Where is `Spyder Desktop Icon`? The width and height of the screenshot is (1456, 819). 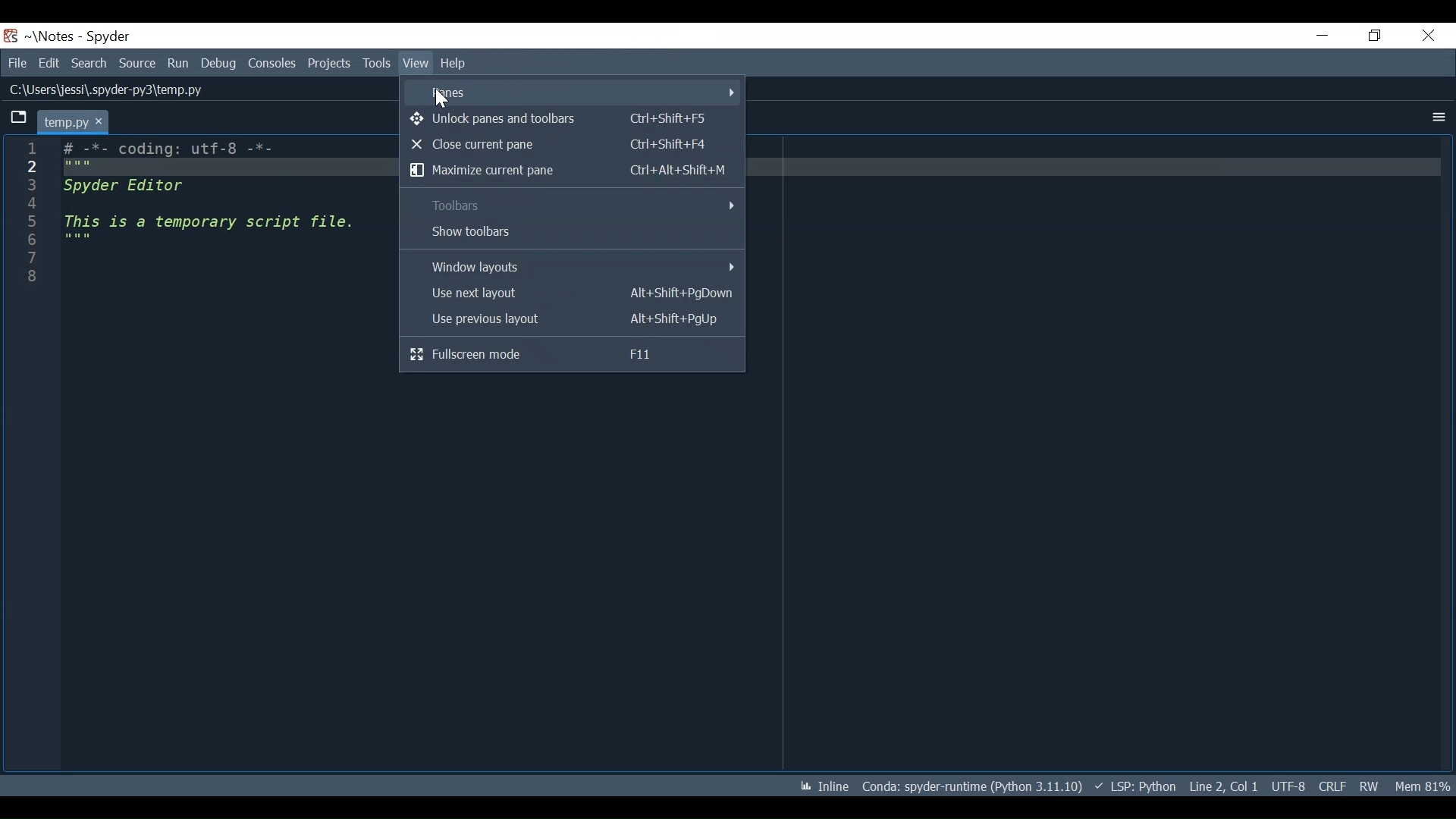 Spyder Desktop Icon is located at coordinates (11, 36).